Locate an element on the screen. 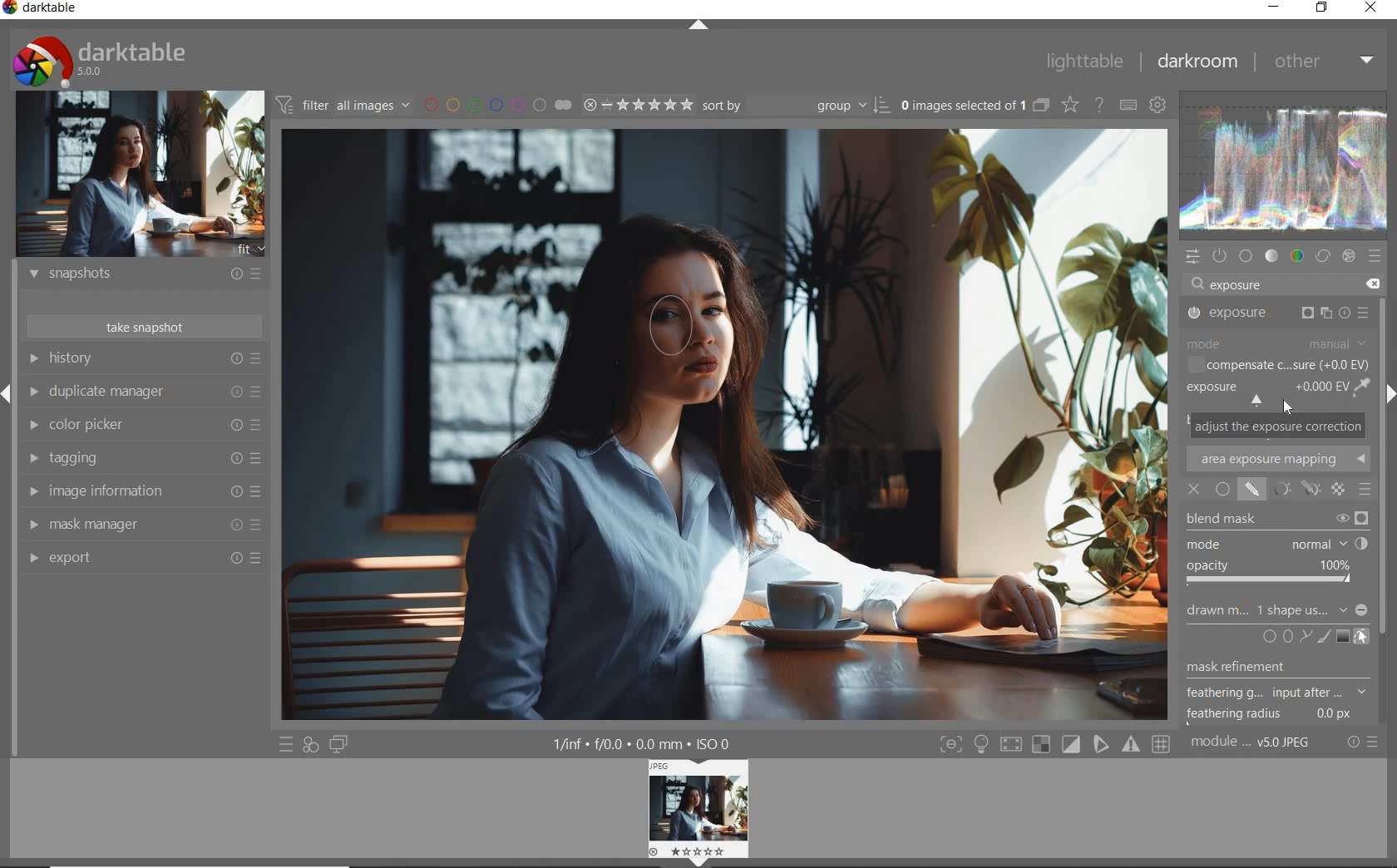 The image size is (1397, 868). take snapshot is located at coordinates (146, 327).